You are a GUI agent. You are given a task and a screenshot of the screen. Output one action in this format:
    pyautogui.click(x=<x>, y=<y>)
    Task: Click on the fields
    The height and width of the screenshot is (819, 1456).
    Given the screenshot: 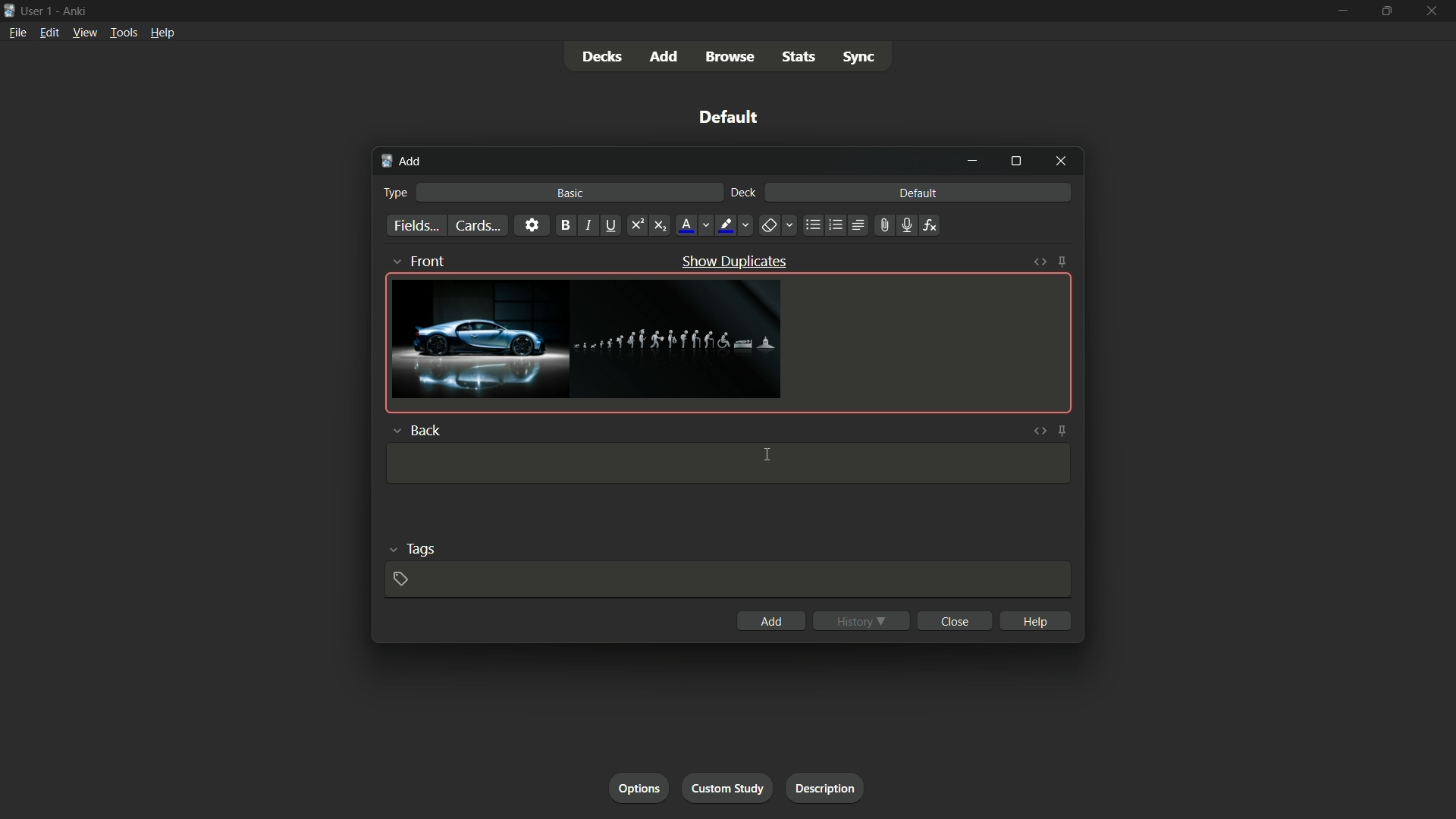 What is the action you would take?
    pyautogui.click(x=416, y=227)
    